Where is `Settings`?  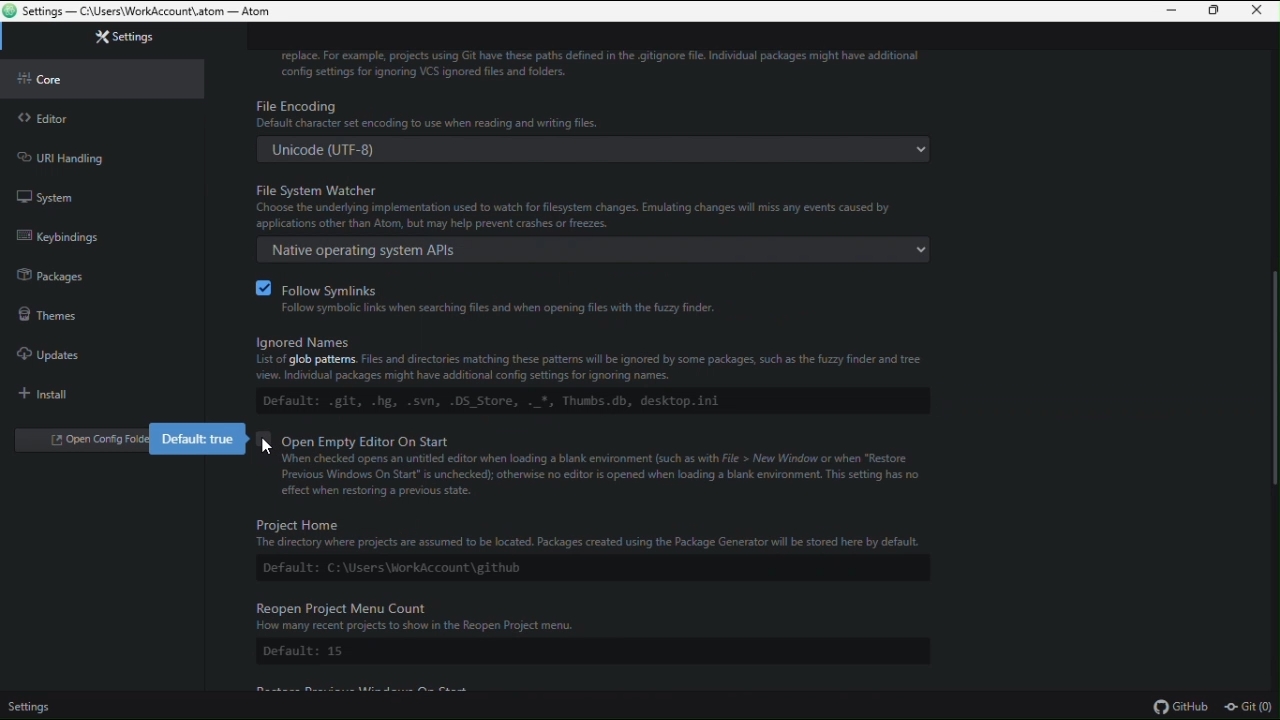 Settings is located at coordinates (107, 37).